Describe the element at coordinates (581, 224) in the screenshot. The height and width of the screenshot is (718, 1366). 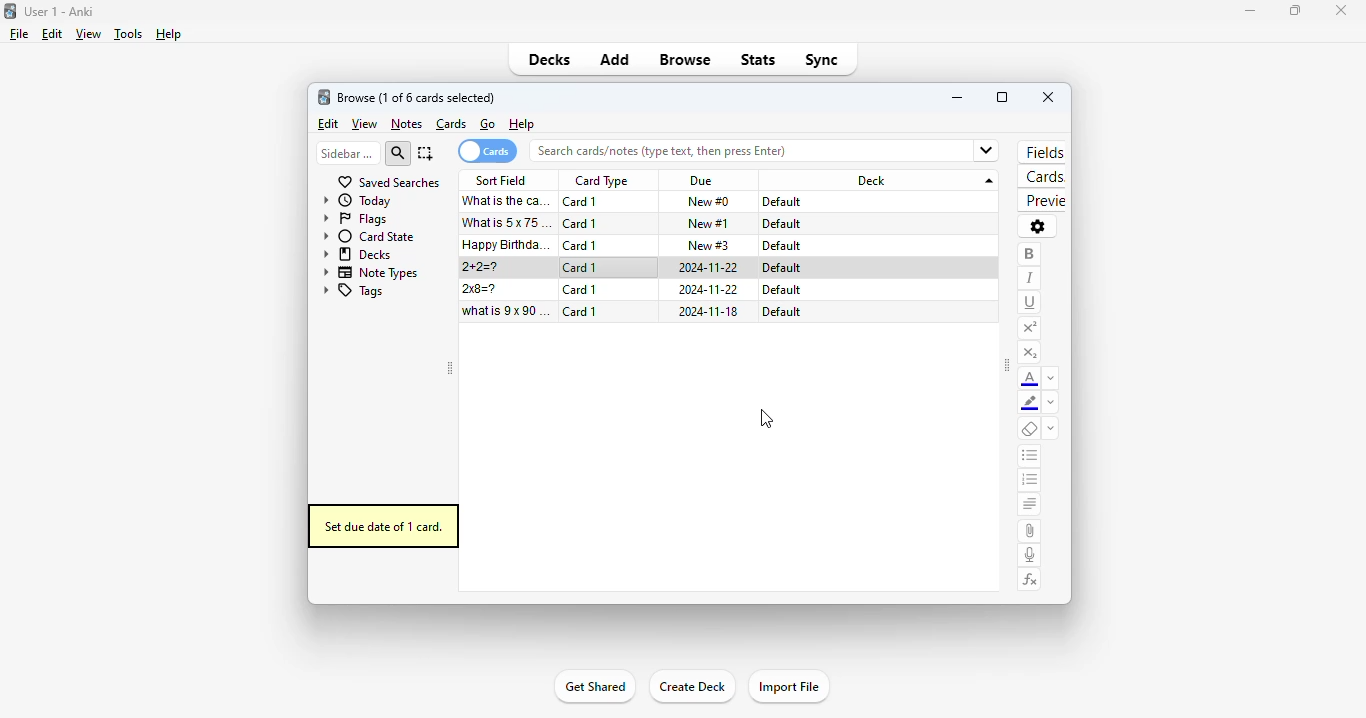
I see `card 1` at that location.